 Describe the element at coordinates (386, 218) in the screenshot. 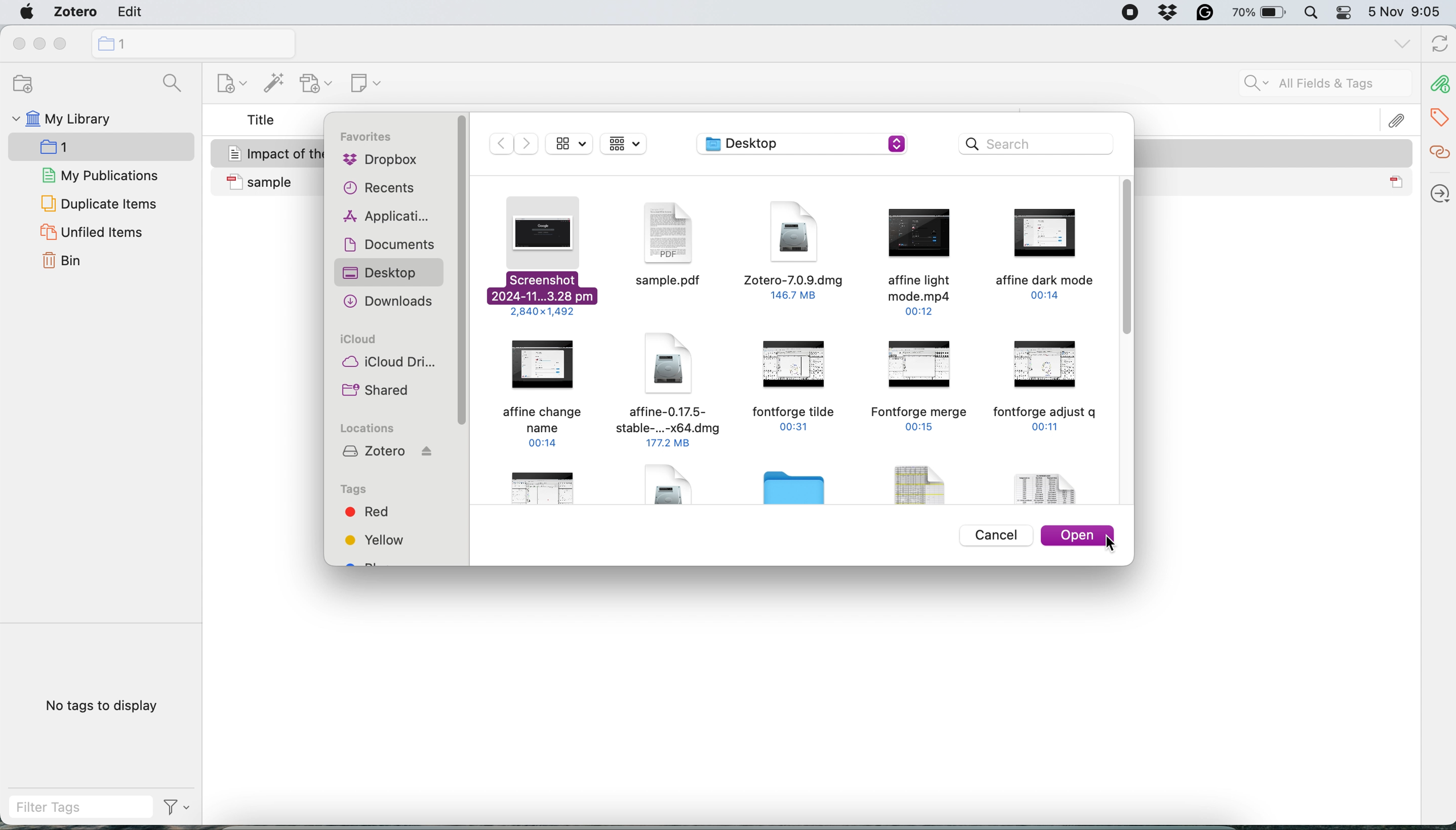

I see `applications` at that location.